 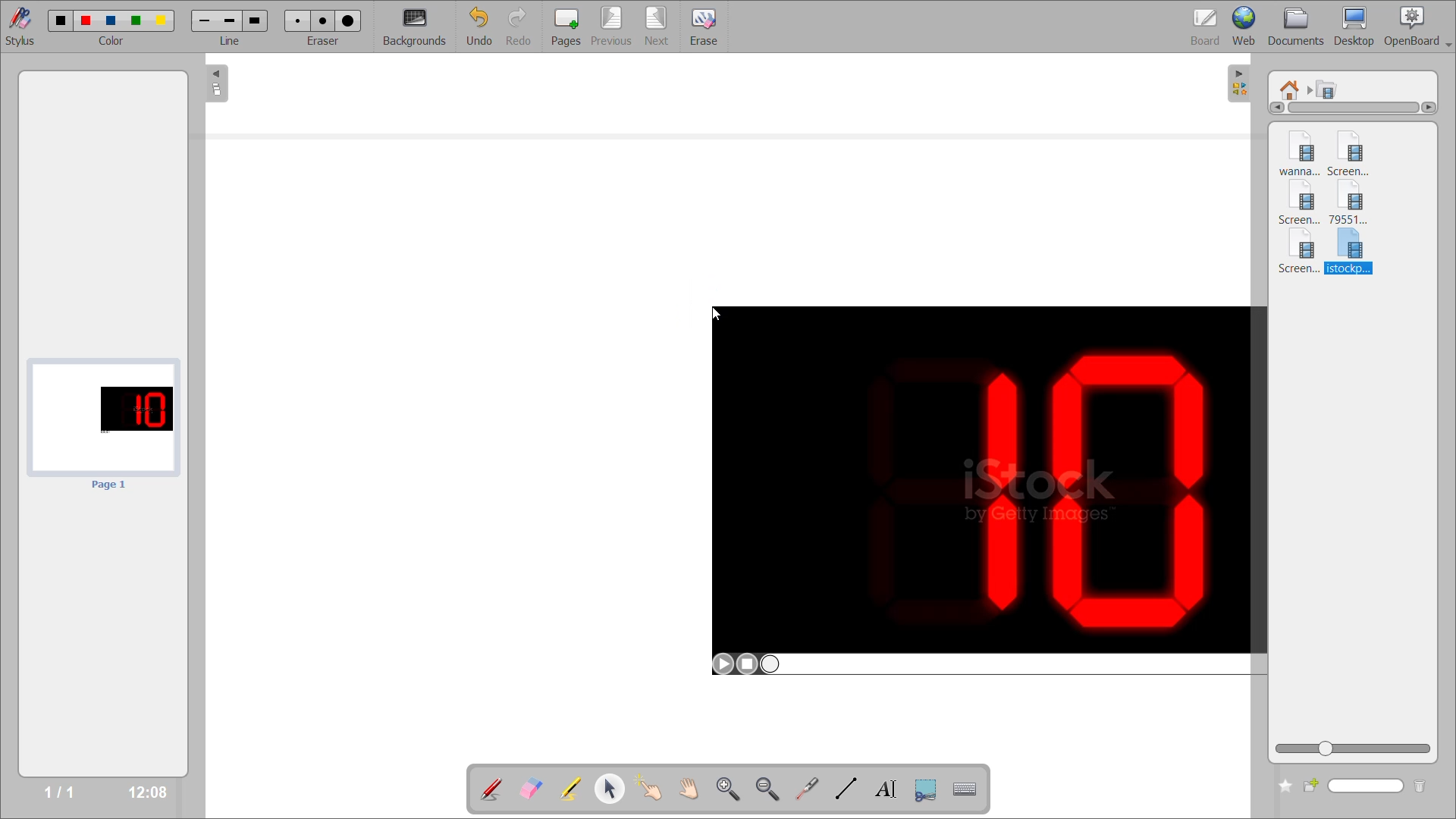 I want to click on page preview, so click(x=104, y=424).